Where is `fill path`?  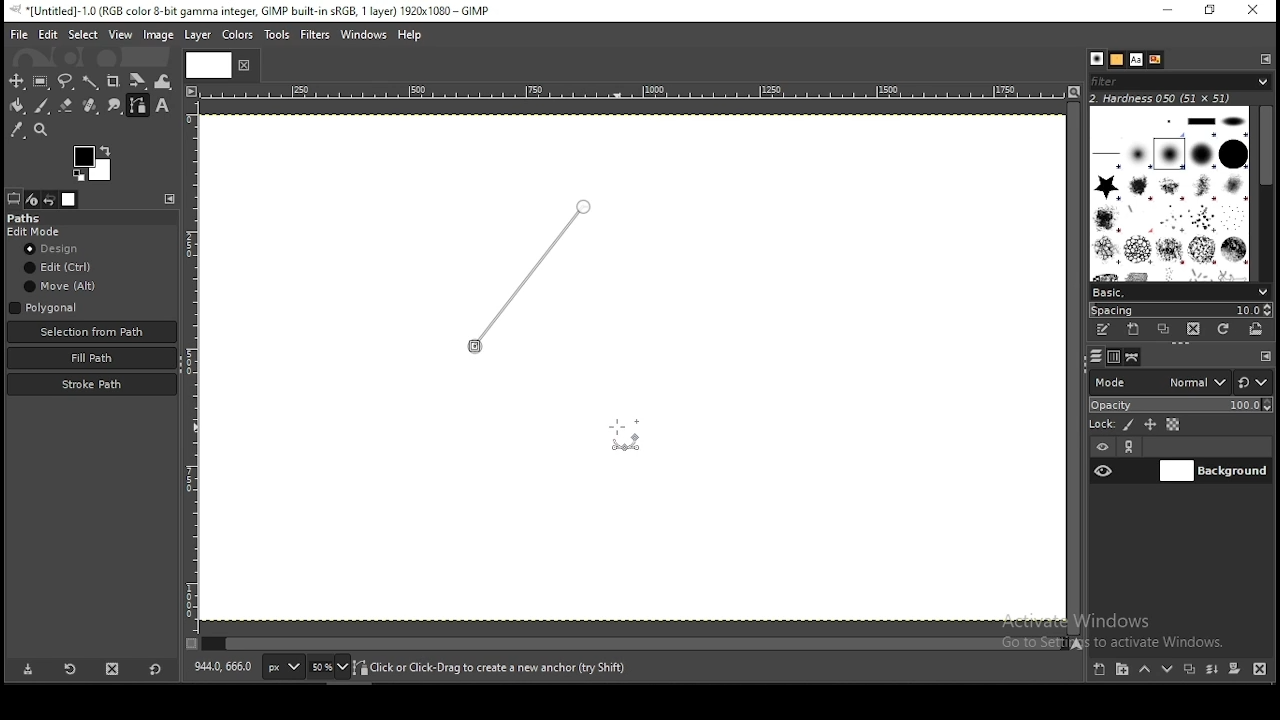
fill path is located at coordinates (92, 357).